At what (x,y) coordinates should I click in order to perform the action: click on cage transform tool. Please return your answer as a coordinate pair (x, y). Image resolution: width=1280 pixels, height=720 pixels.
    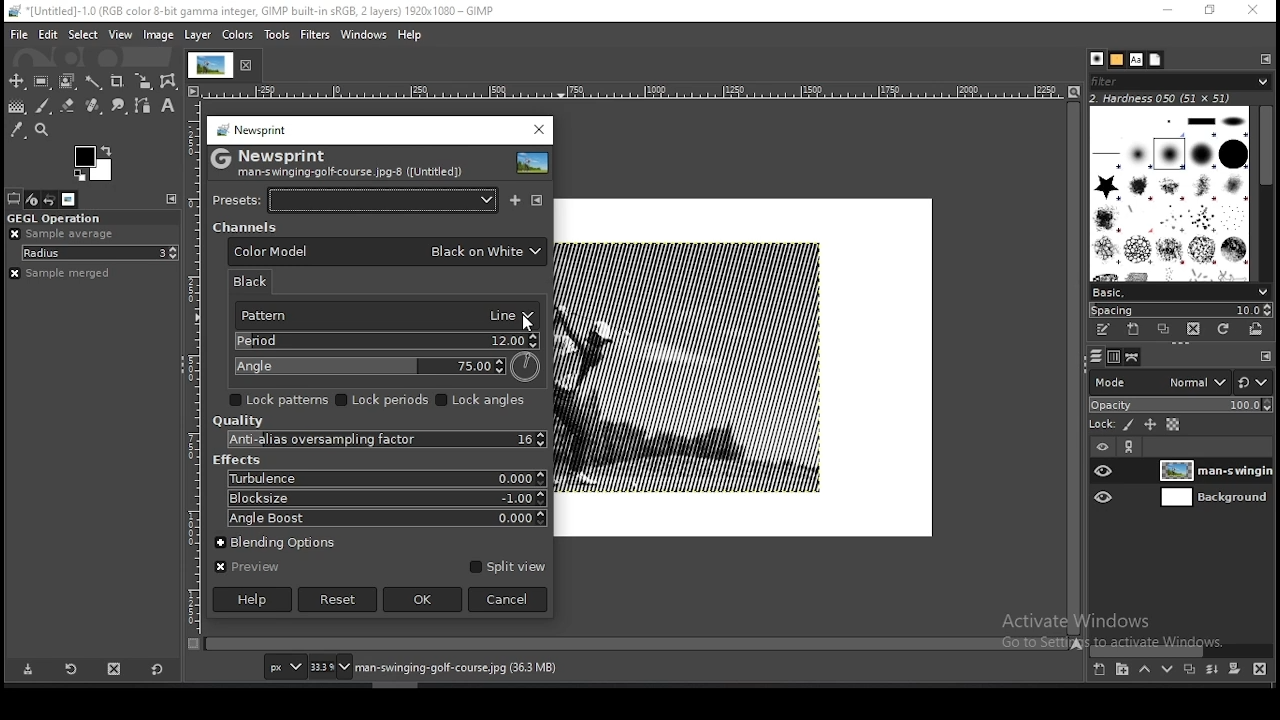
    Looking at the image, I should click on (170, 82).